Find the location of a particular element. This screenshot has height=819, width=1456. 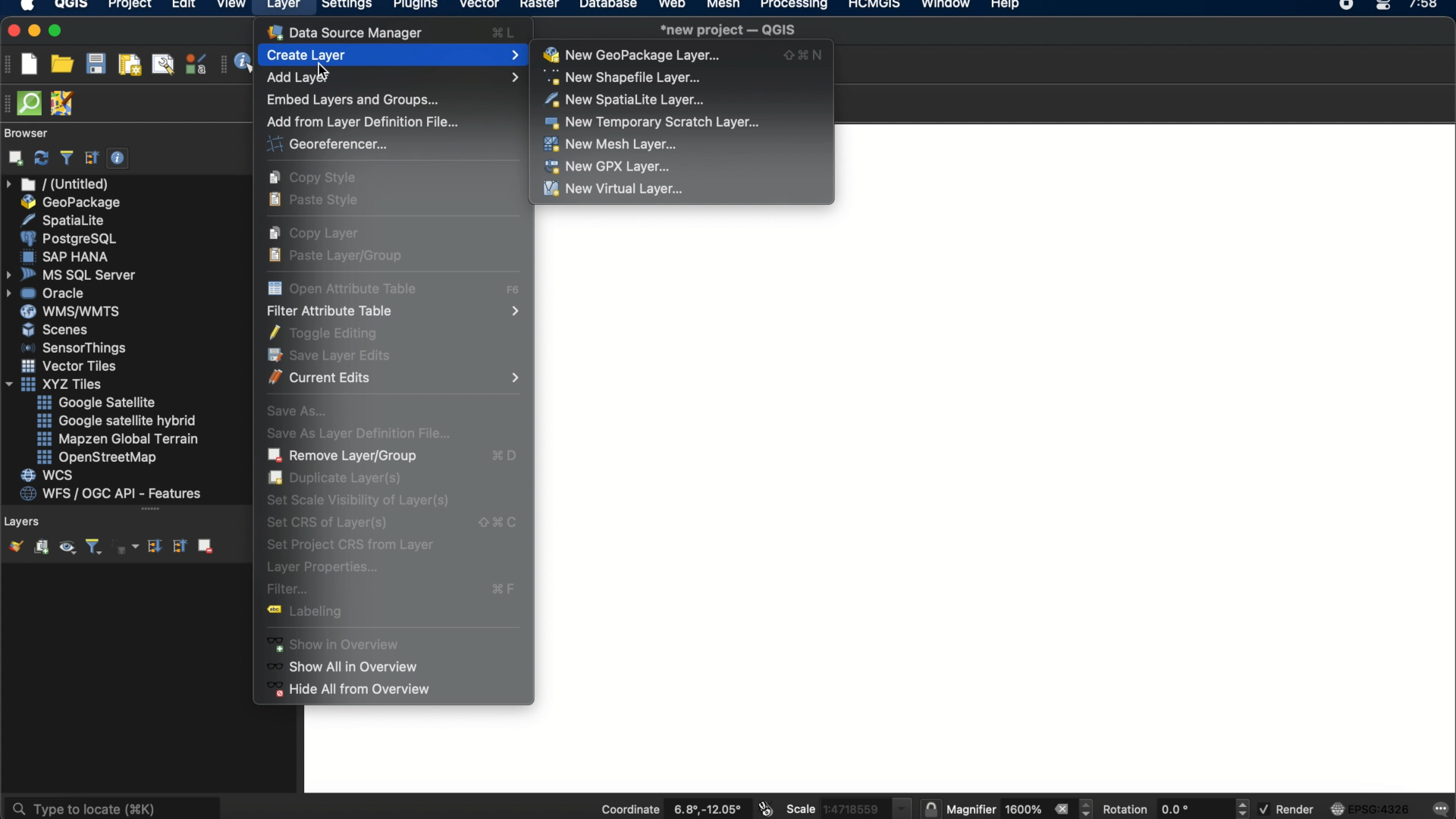

save as layer definition file is located at coordinates (361, 431).